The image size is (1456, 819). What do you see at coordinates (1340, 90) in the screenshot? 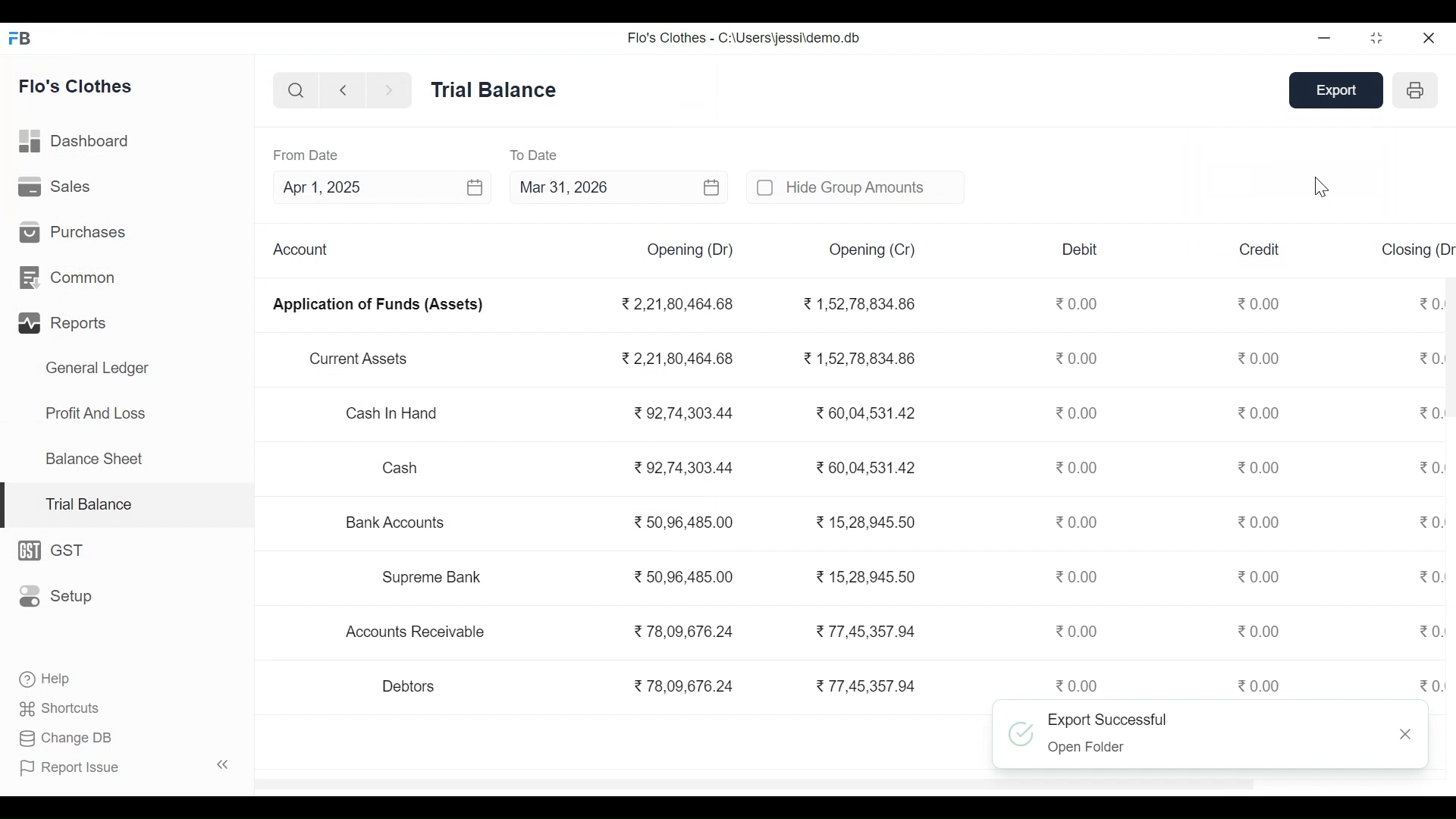
I see `Export` at bounding box center [1340, 90].